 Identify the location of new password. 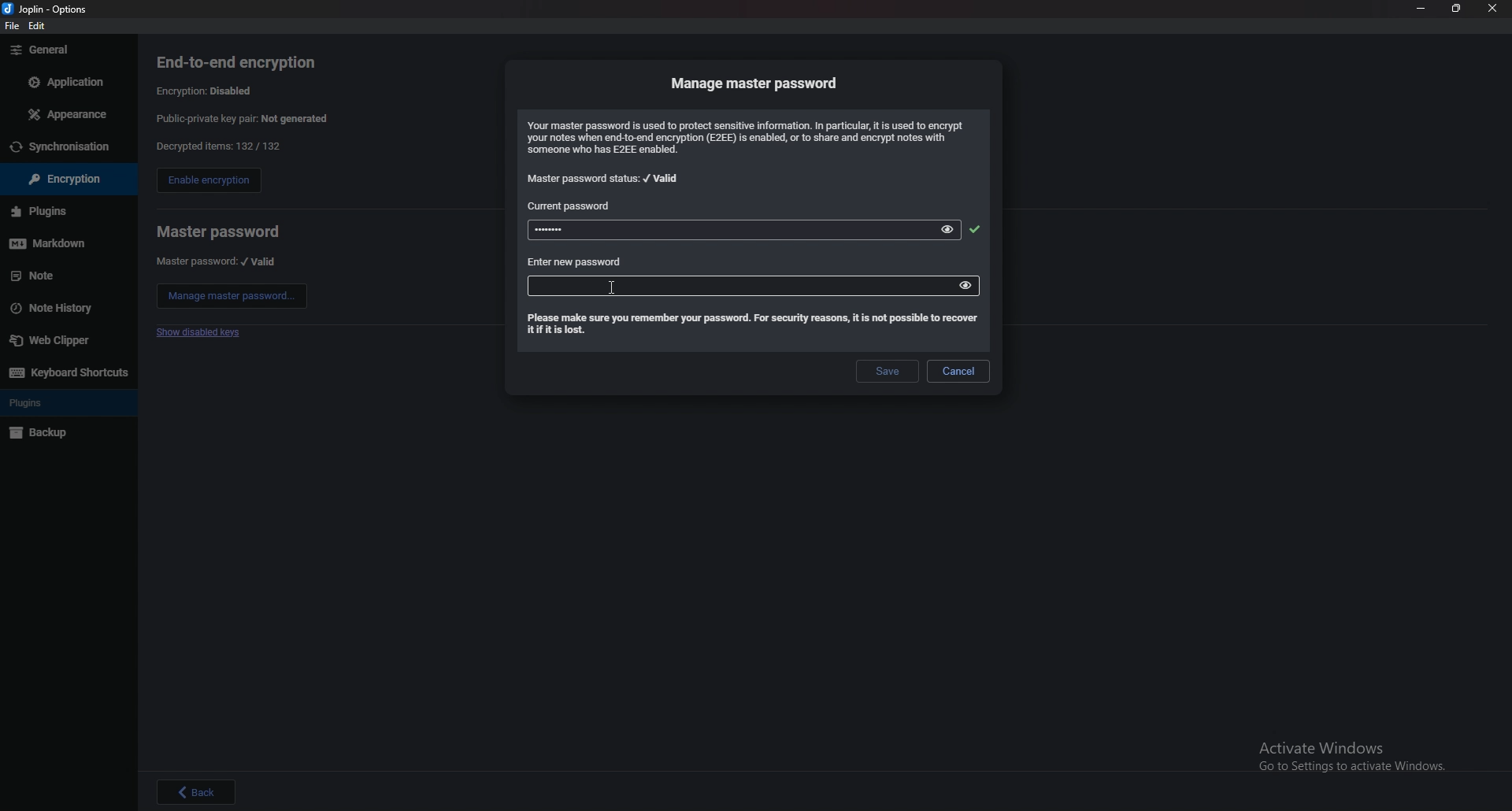
(737, 285).